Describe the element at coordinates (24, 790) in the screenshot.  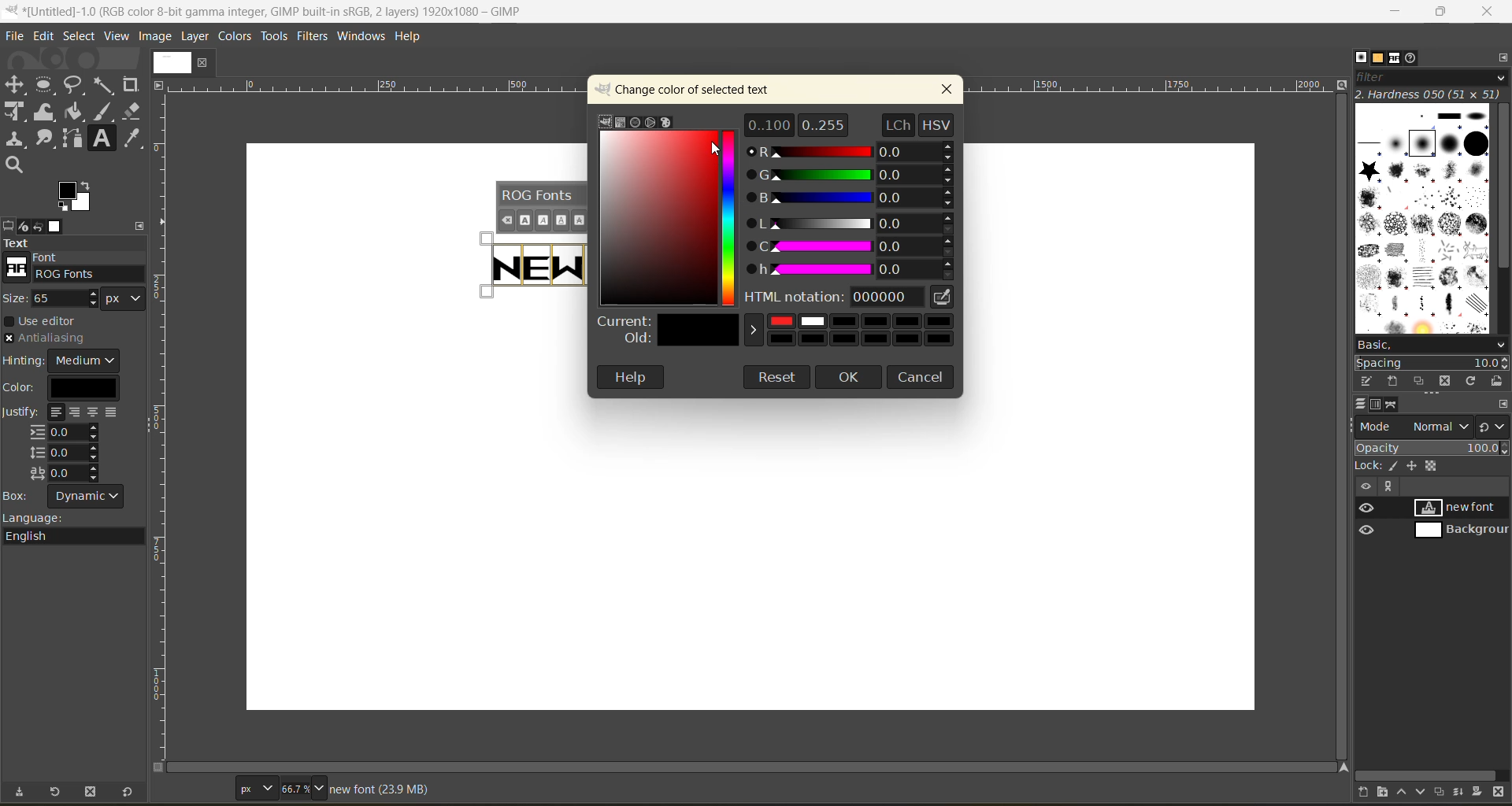
I see `save tool preset` at that location.